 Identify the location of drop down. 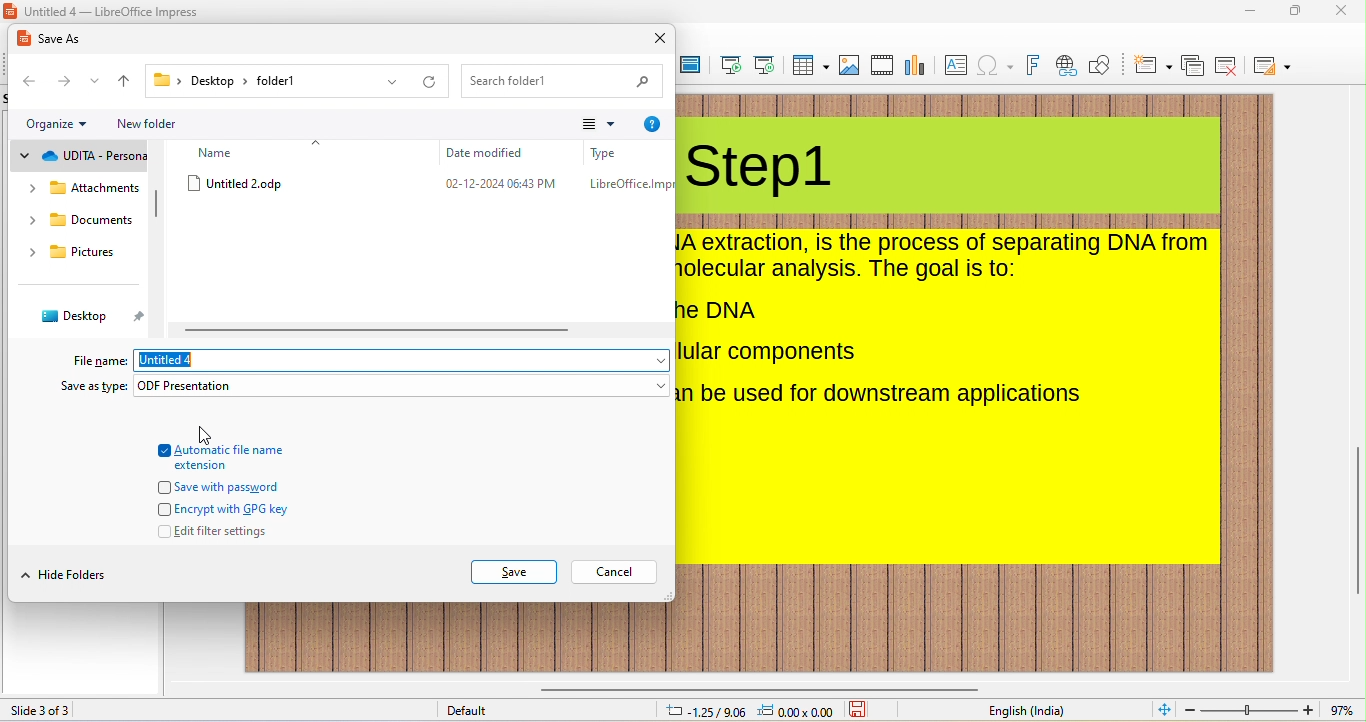
(618, 125).